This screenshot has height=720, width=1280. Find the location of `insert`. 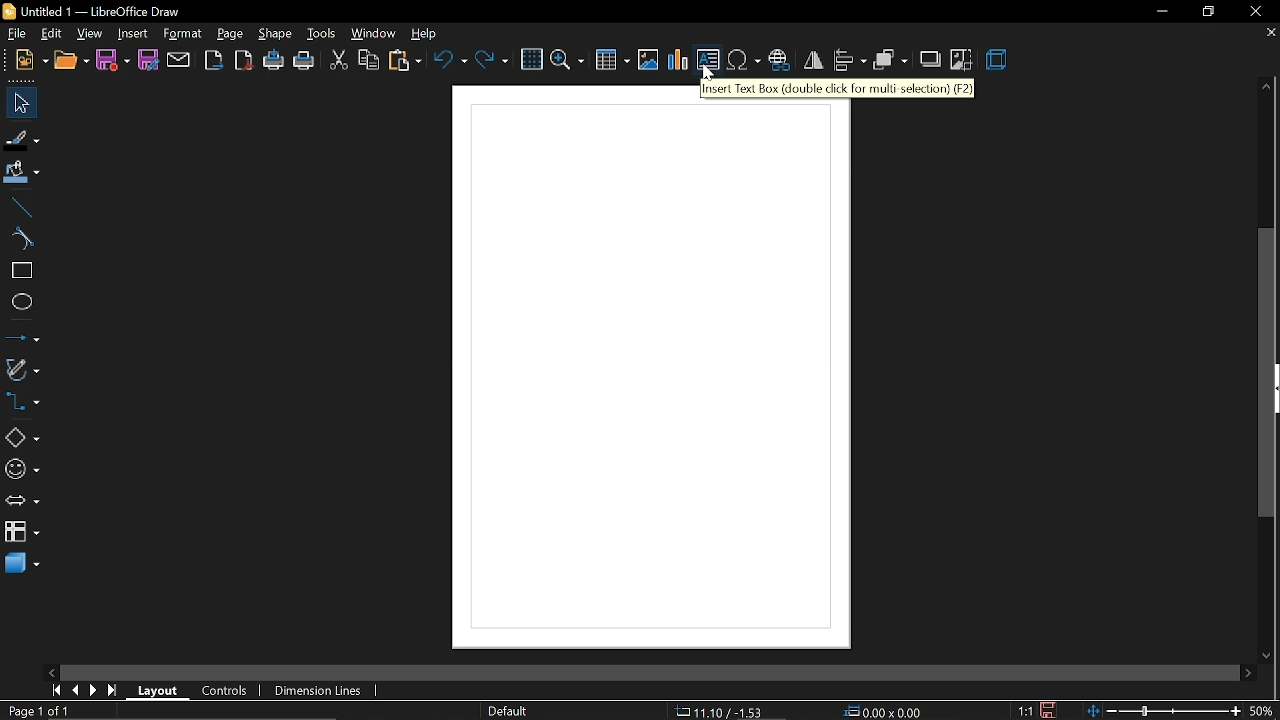

insert is located at coordinates (133, 35).